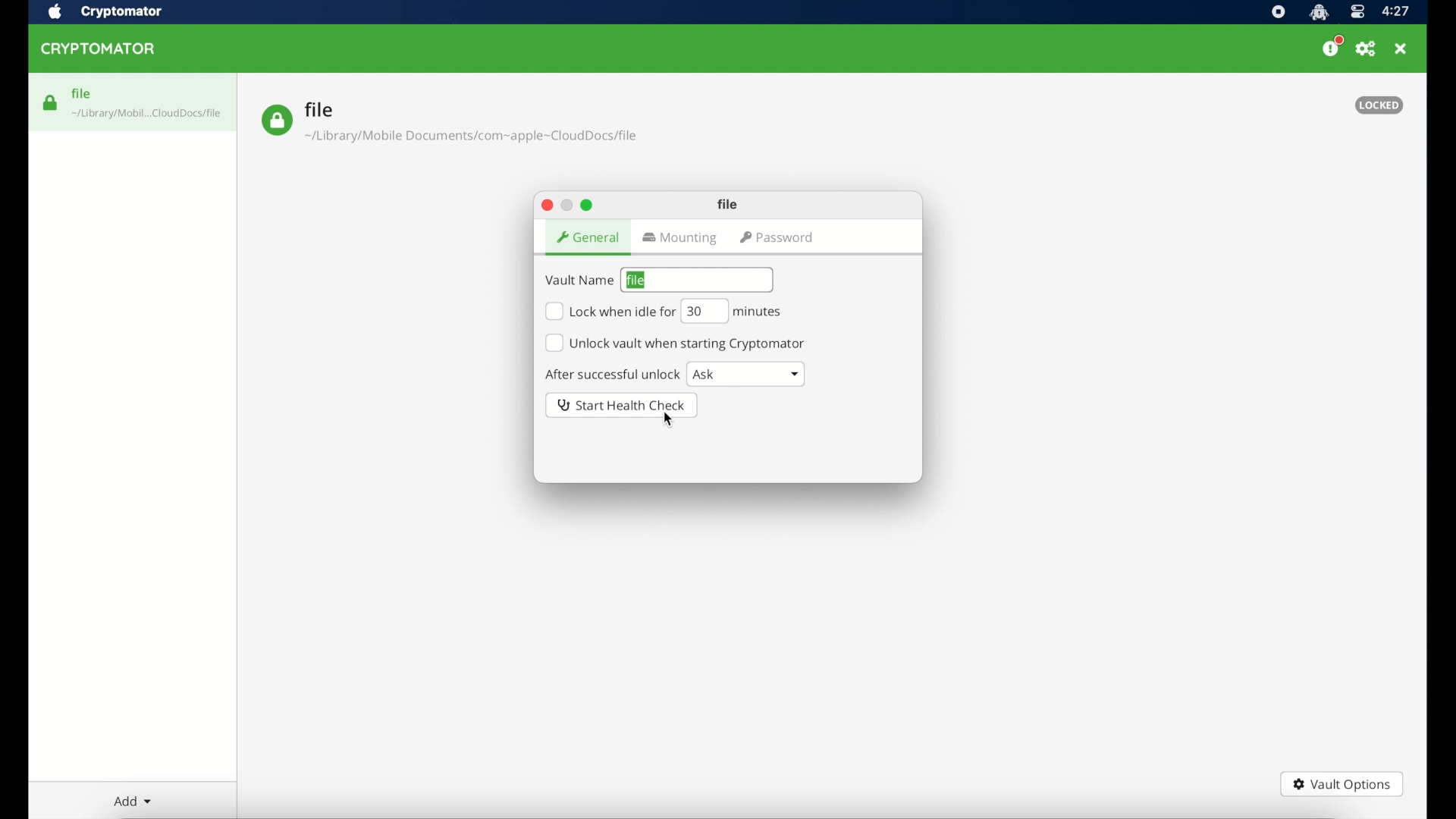 This screenshot has width=1456, height=819. What do you see at coordinates (546, 204) in the screenshot?
I see `close` at bounding box center [546, 204].